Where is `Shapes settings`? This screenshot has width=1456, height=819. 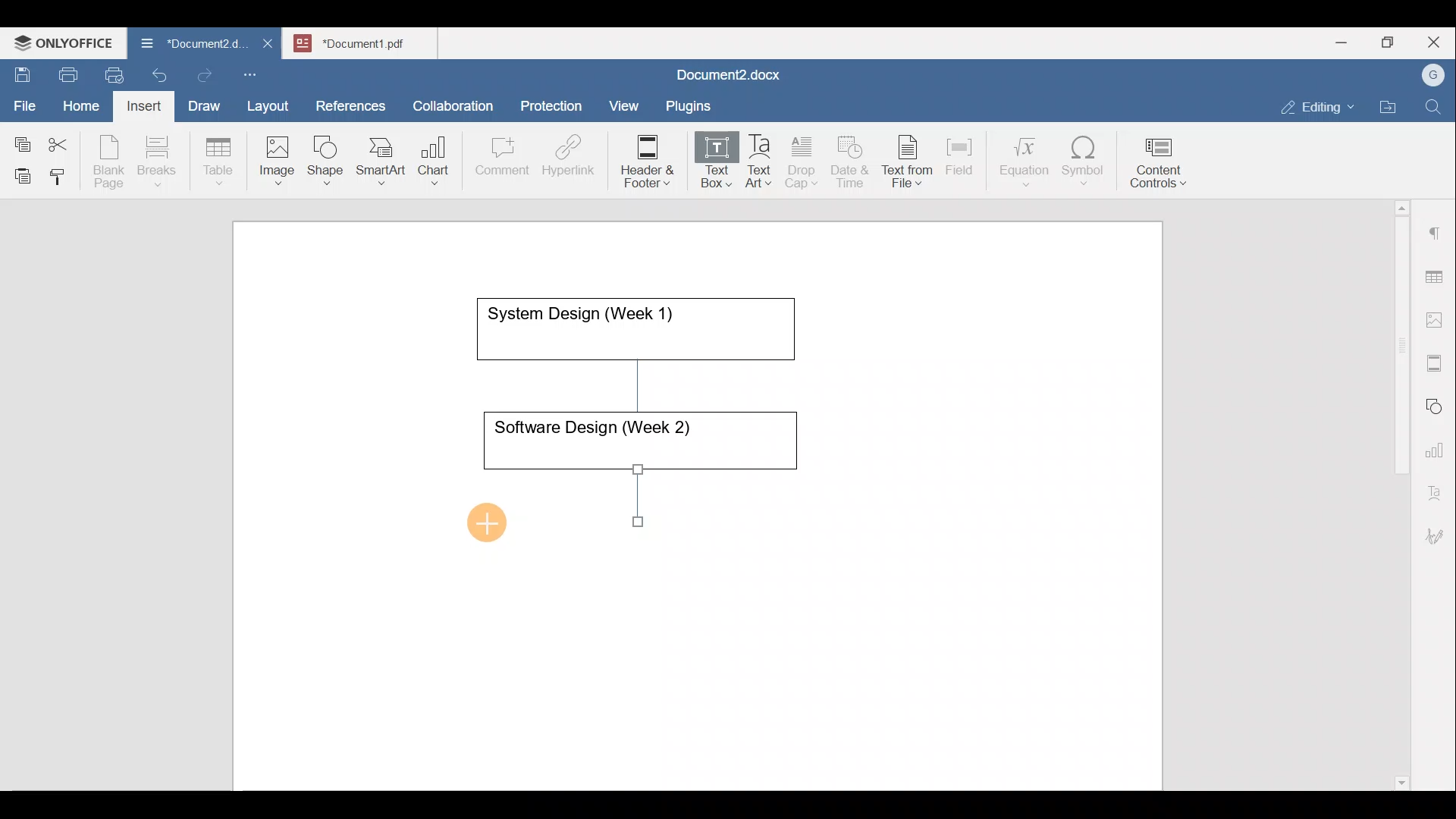 Shapes settings is located at coordinates (1437, 404).